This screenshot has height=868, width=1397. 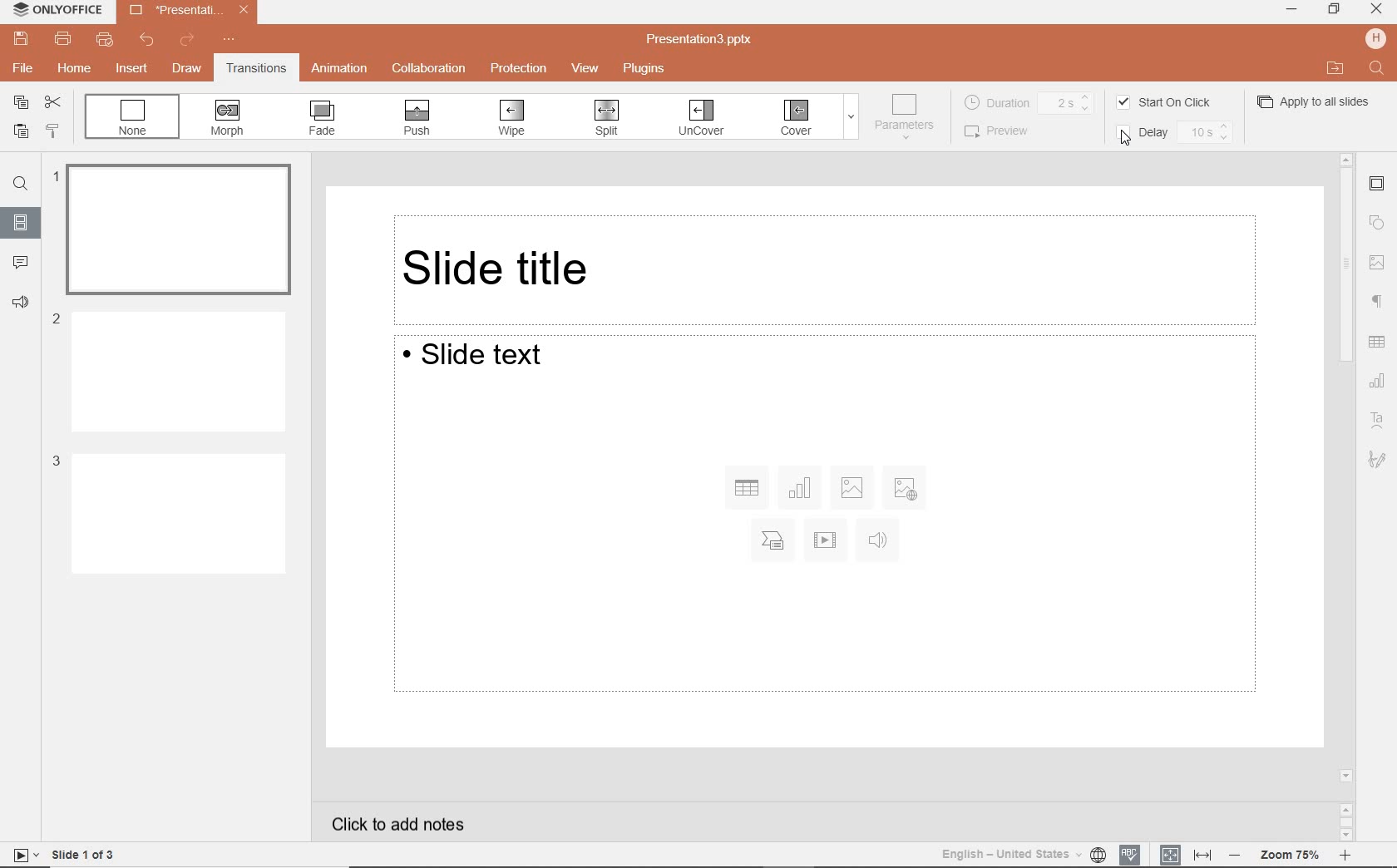 What do you see at coordinates (414, 118) in the screenshot?
I see `PUSH` at bounding box center [414, 118].